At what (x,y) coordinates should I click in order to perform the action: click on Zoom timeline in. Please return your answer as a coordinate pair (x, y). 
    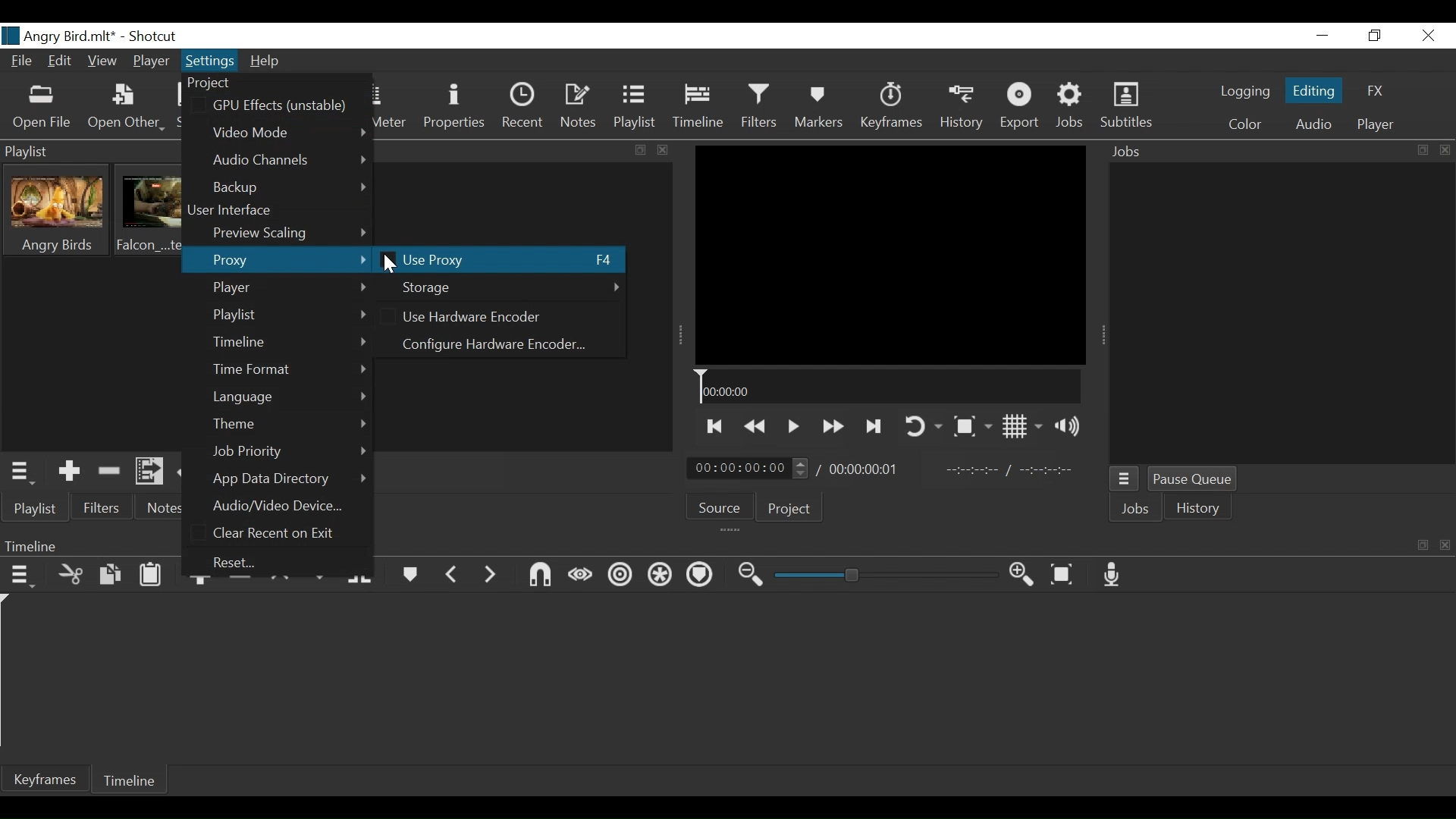
    Looking at the image, I should click on (1018, 574).